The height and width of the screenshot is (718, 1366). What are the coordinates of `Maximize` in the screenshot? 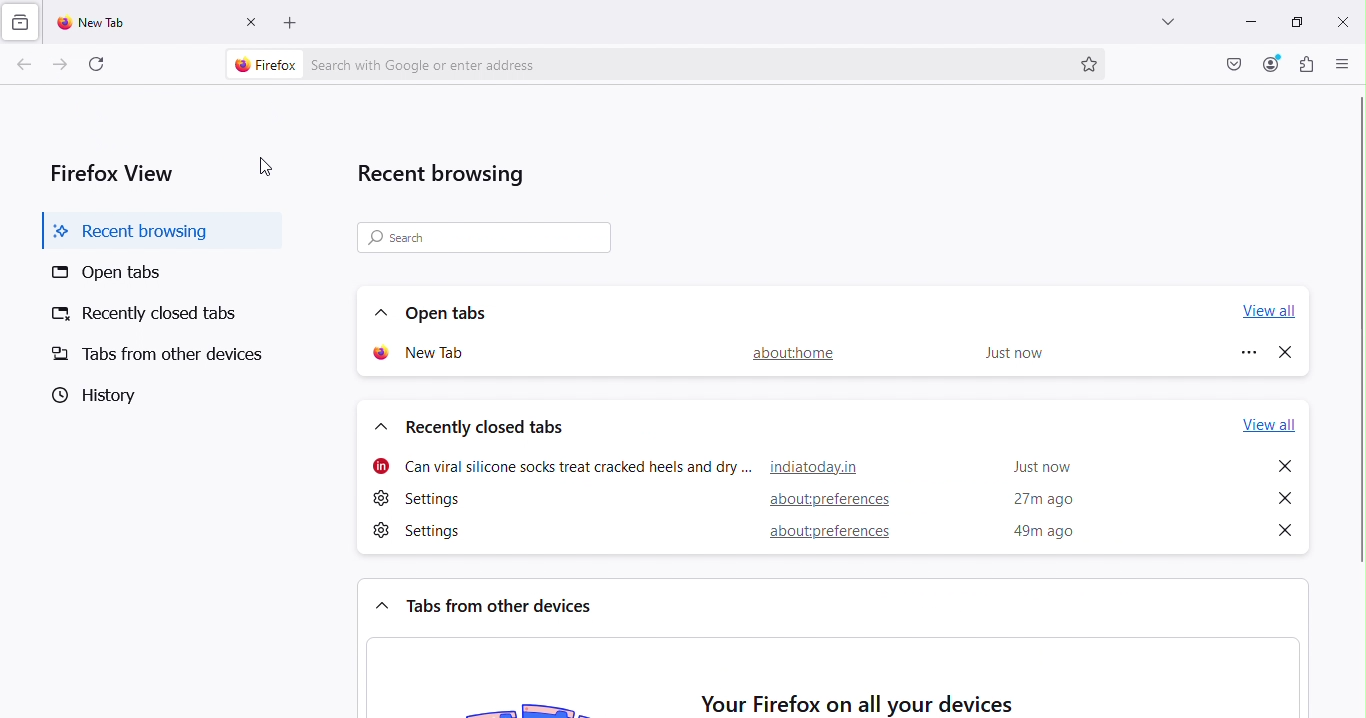 It's located at (1292, 23).